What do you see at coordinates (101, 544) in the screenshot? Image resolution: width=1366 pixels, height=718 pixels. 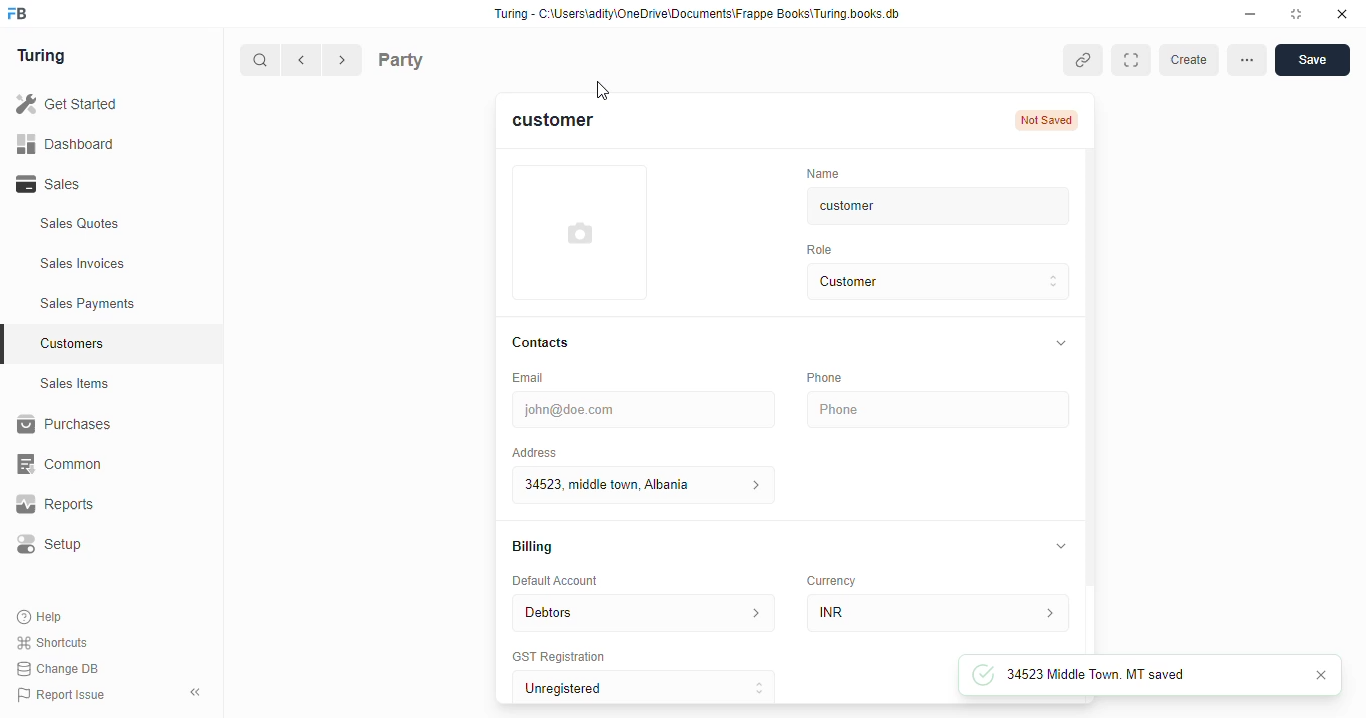 I see `Setup` at bounding box center [101, 544].